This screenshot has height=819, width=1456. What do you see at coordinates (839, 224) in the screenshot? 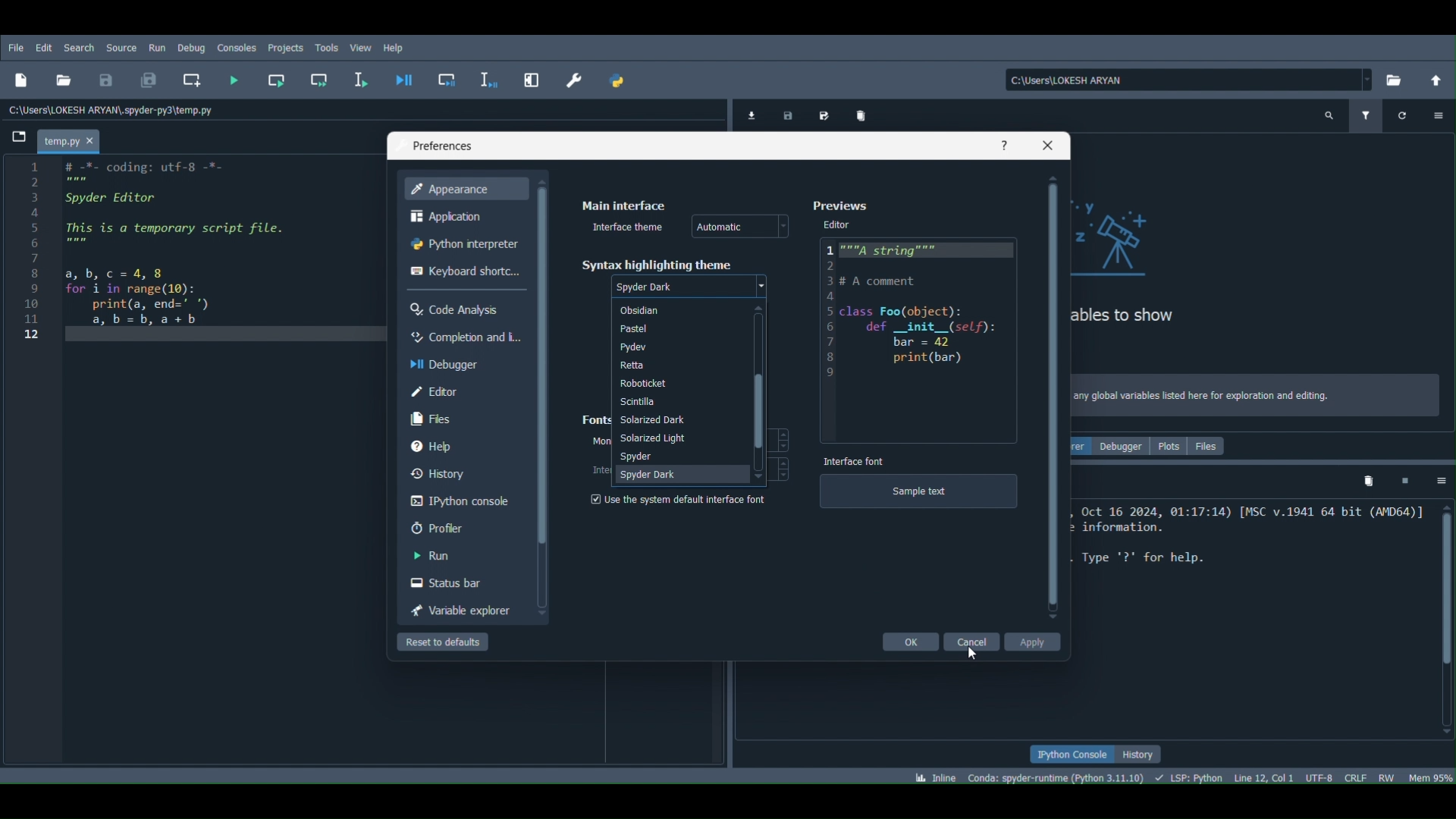
I see `Editor` at bounding box center [839, 224].